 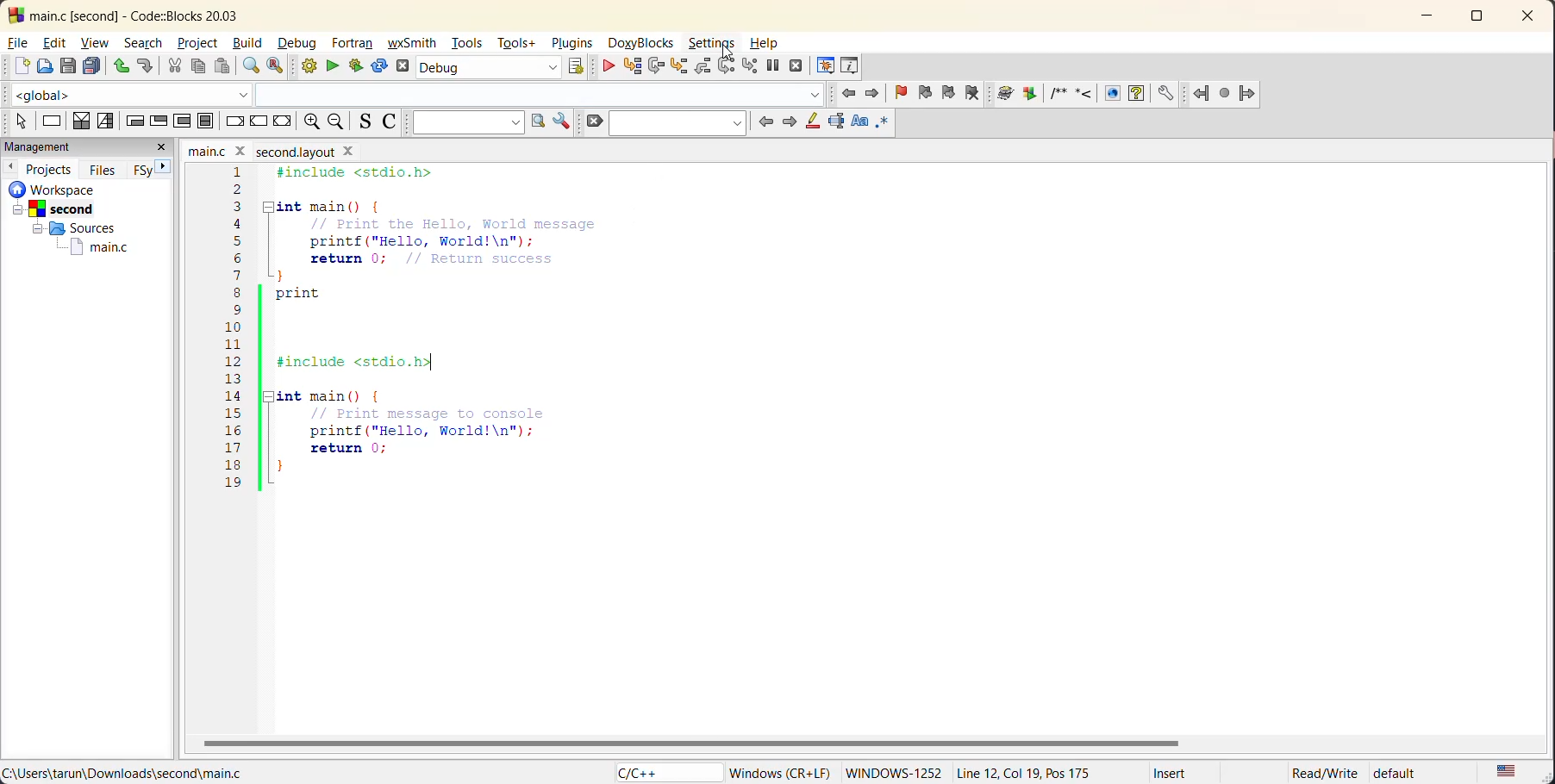 I want to click on debugging windows, so click(x=827, y=65).